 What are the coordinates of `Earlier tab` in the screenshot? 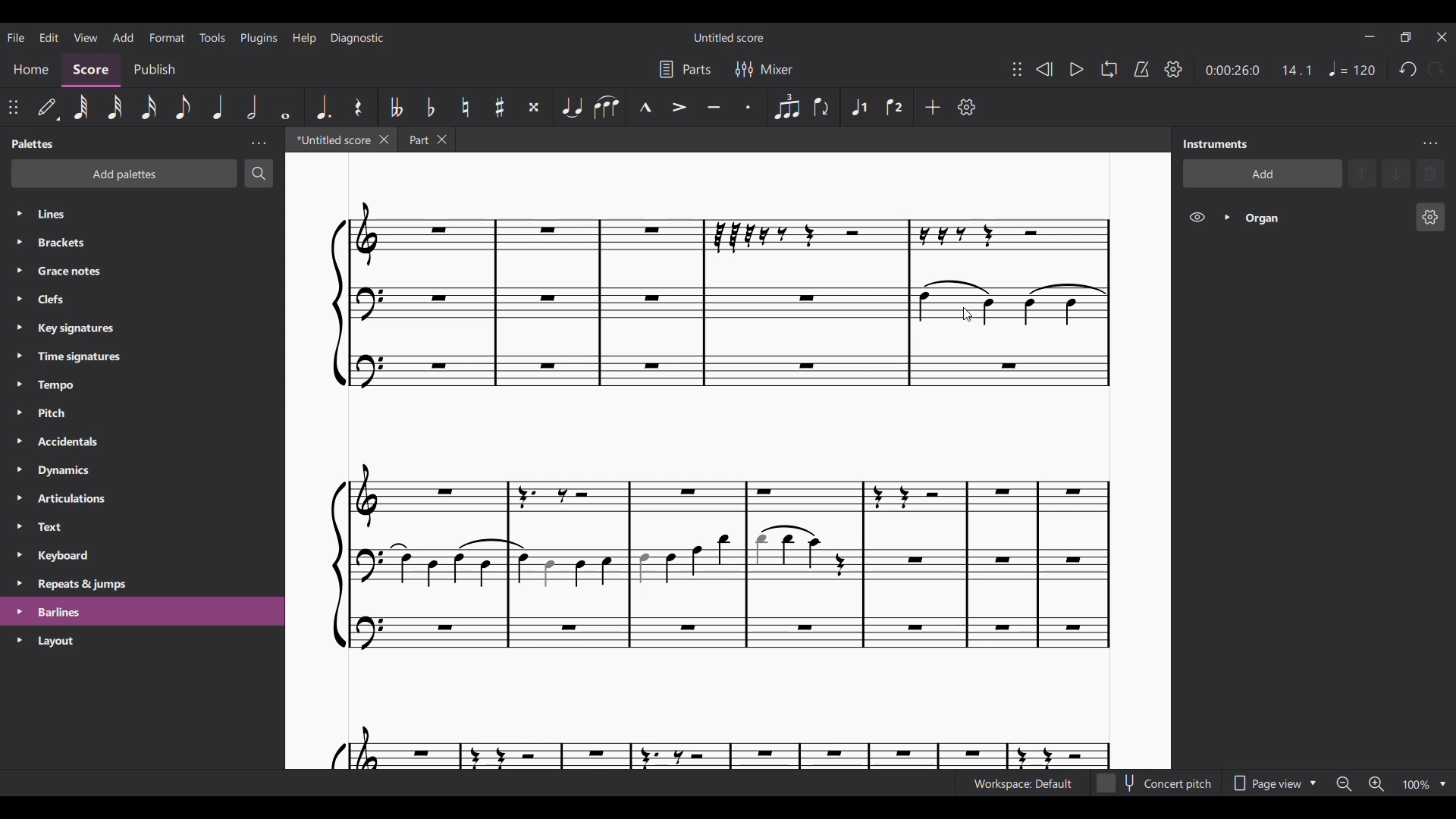 It's located at (426, 140).